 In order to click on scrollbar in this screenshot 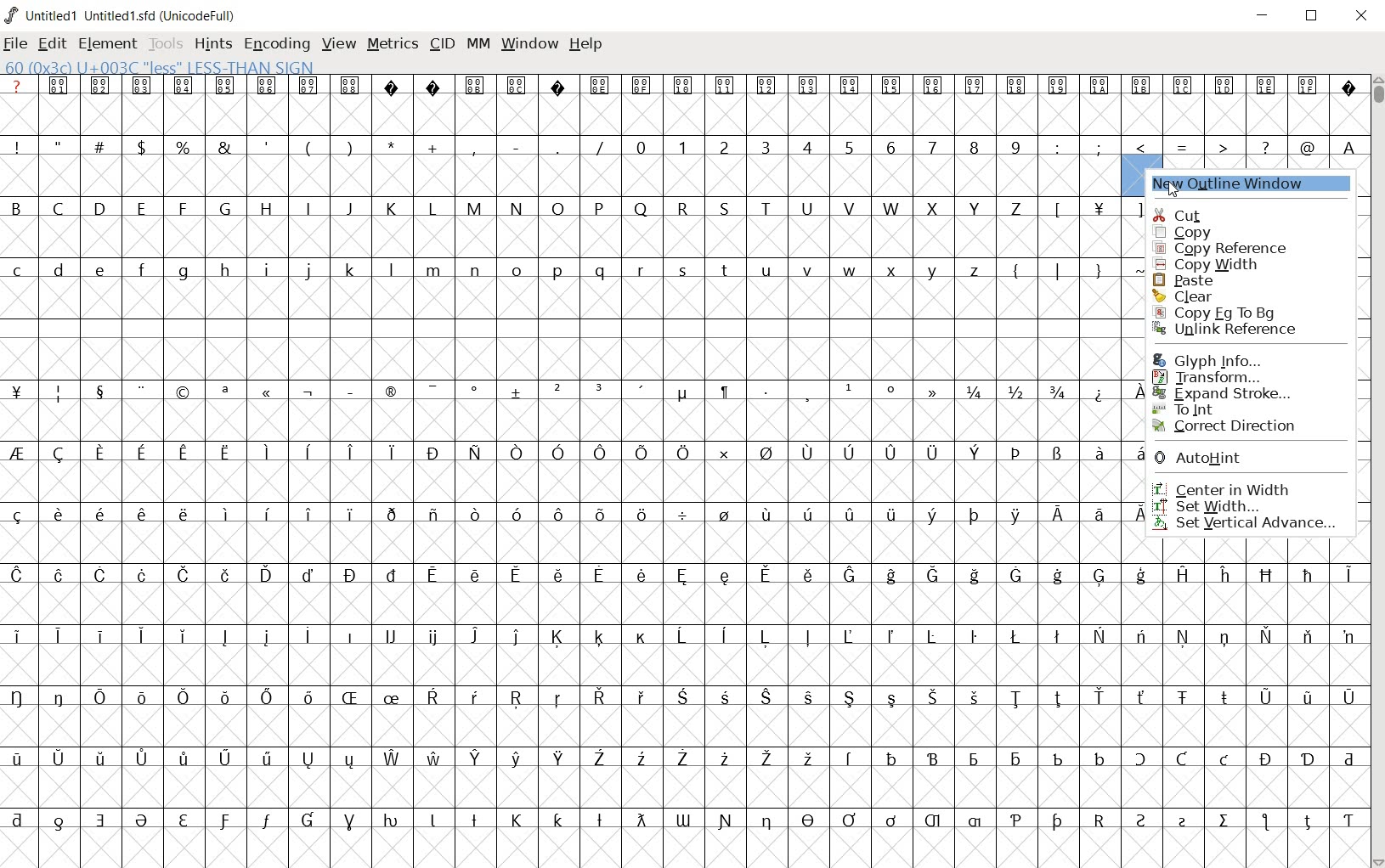, I will do `click(1377, 470)`.